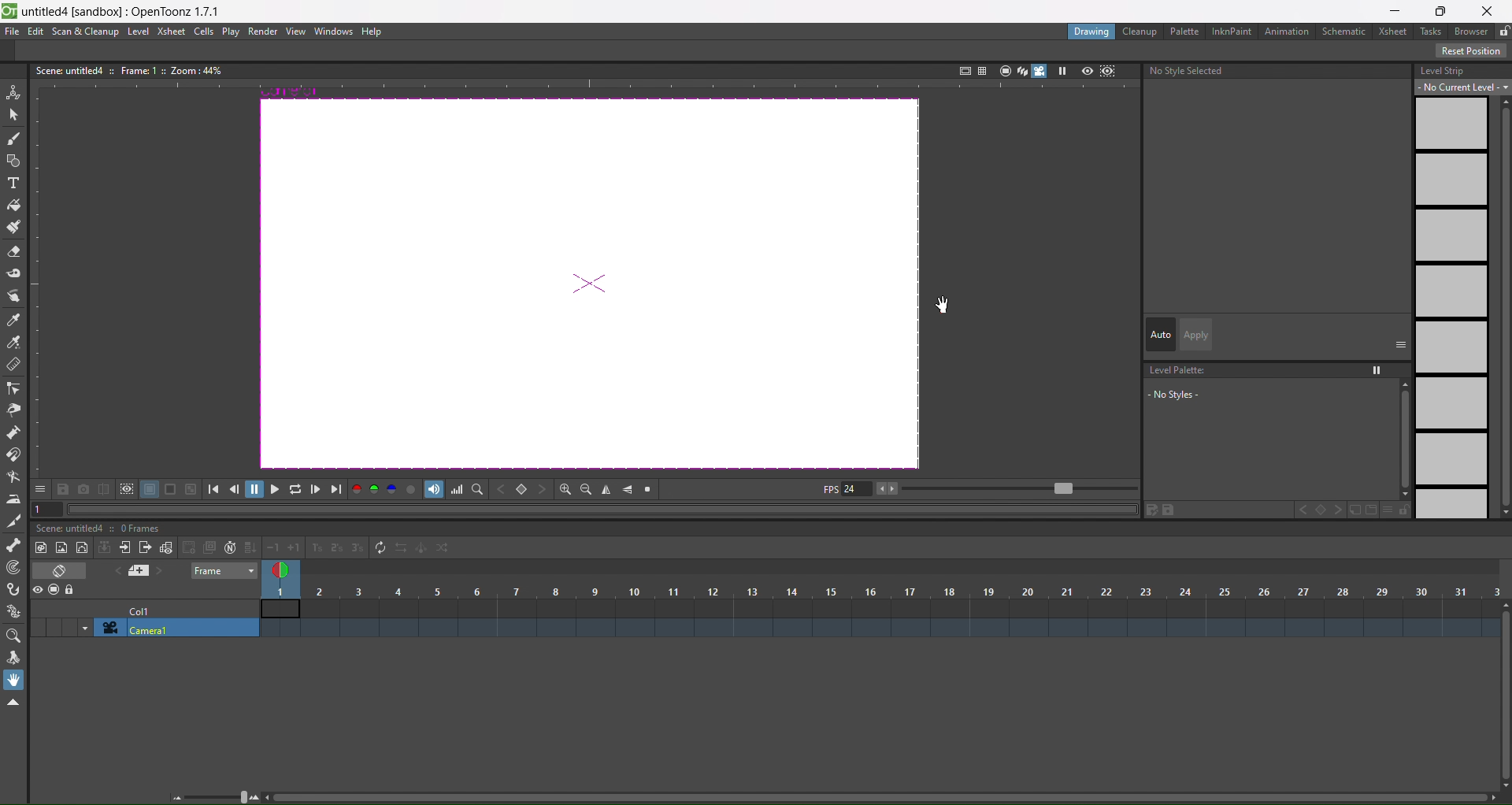 This screenshot has width=1512, height=805. I want to click on play, so click(231, 32).